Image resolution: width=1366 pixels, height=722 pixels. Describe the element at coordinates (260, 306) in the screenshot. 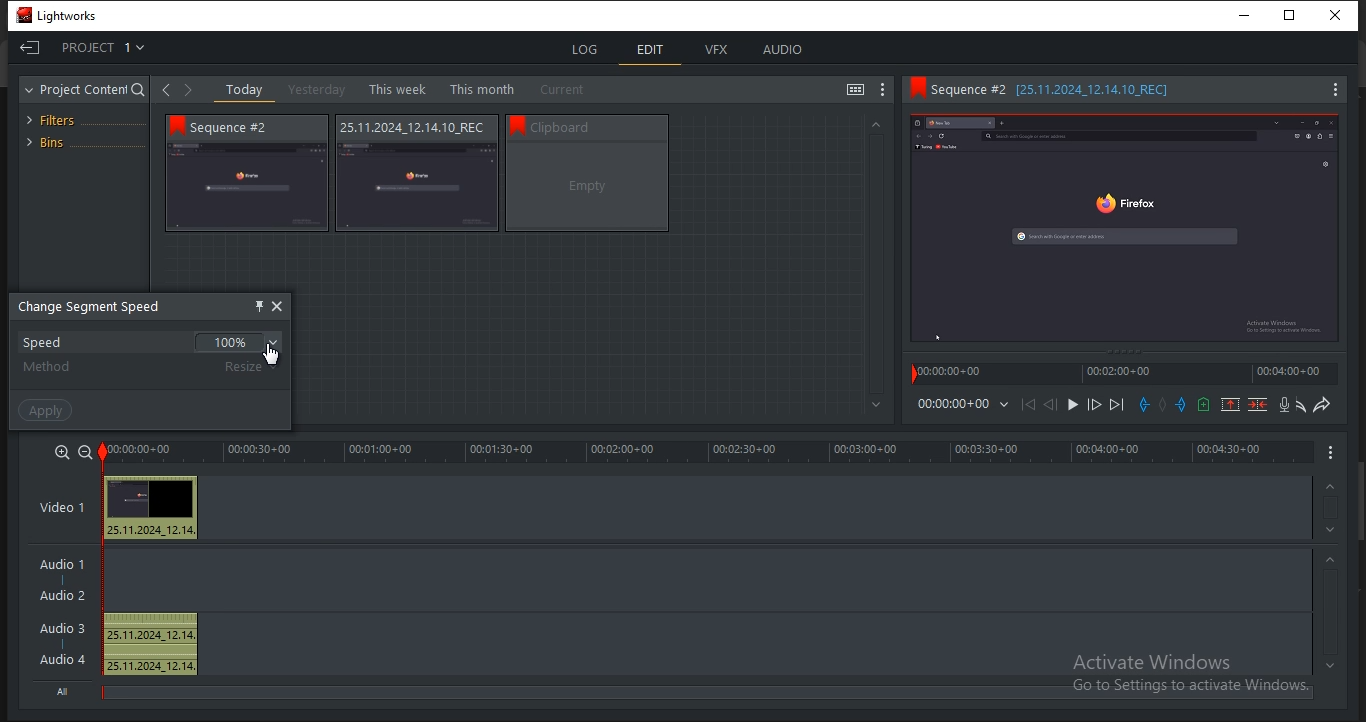

I see `pin this object here` at that location.